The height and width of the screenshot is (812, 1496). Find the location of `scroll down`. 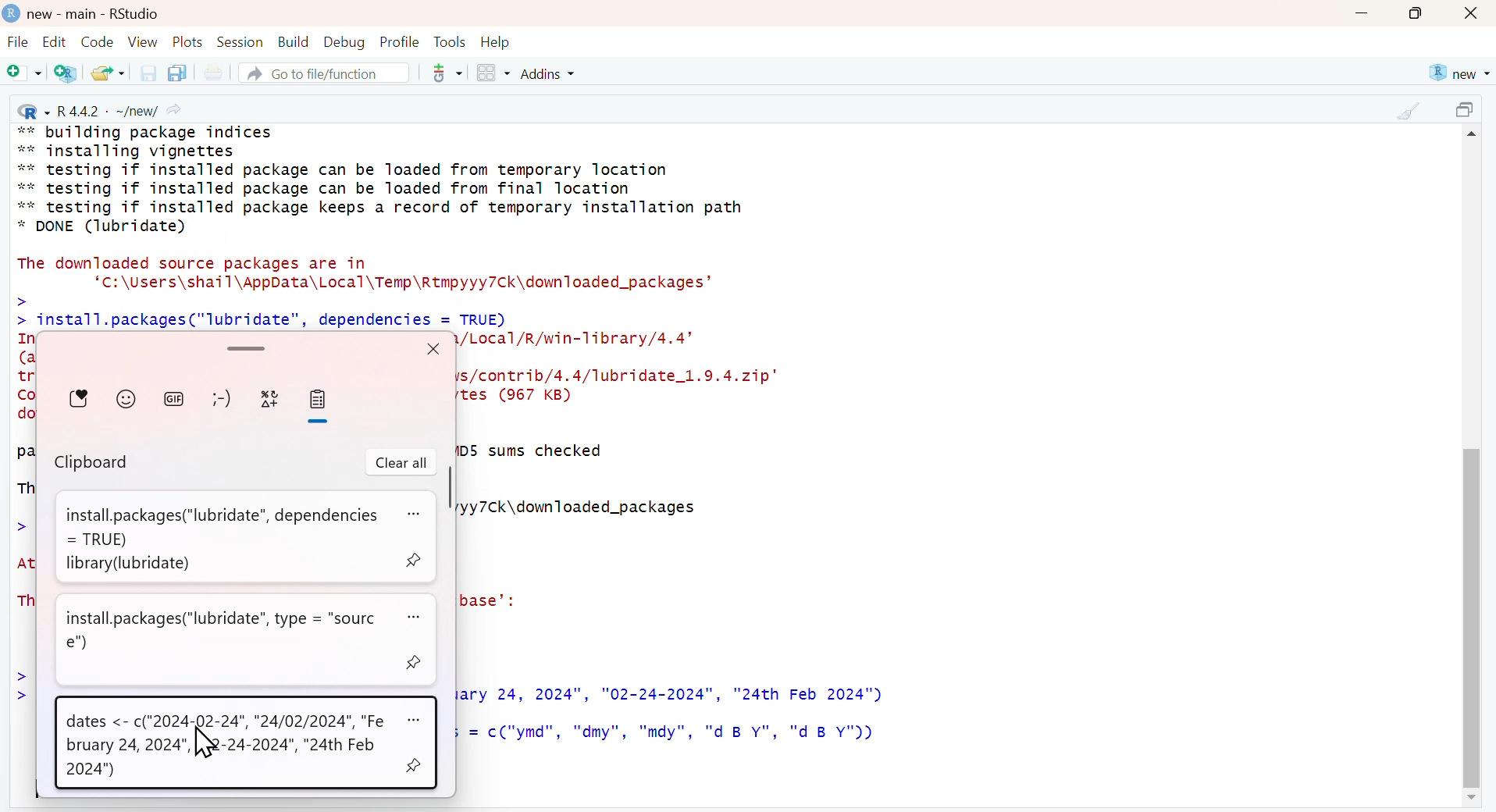

scroll down is located at coordinates (1469, 799).